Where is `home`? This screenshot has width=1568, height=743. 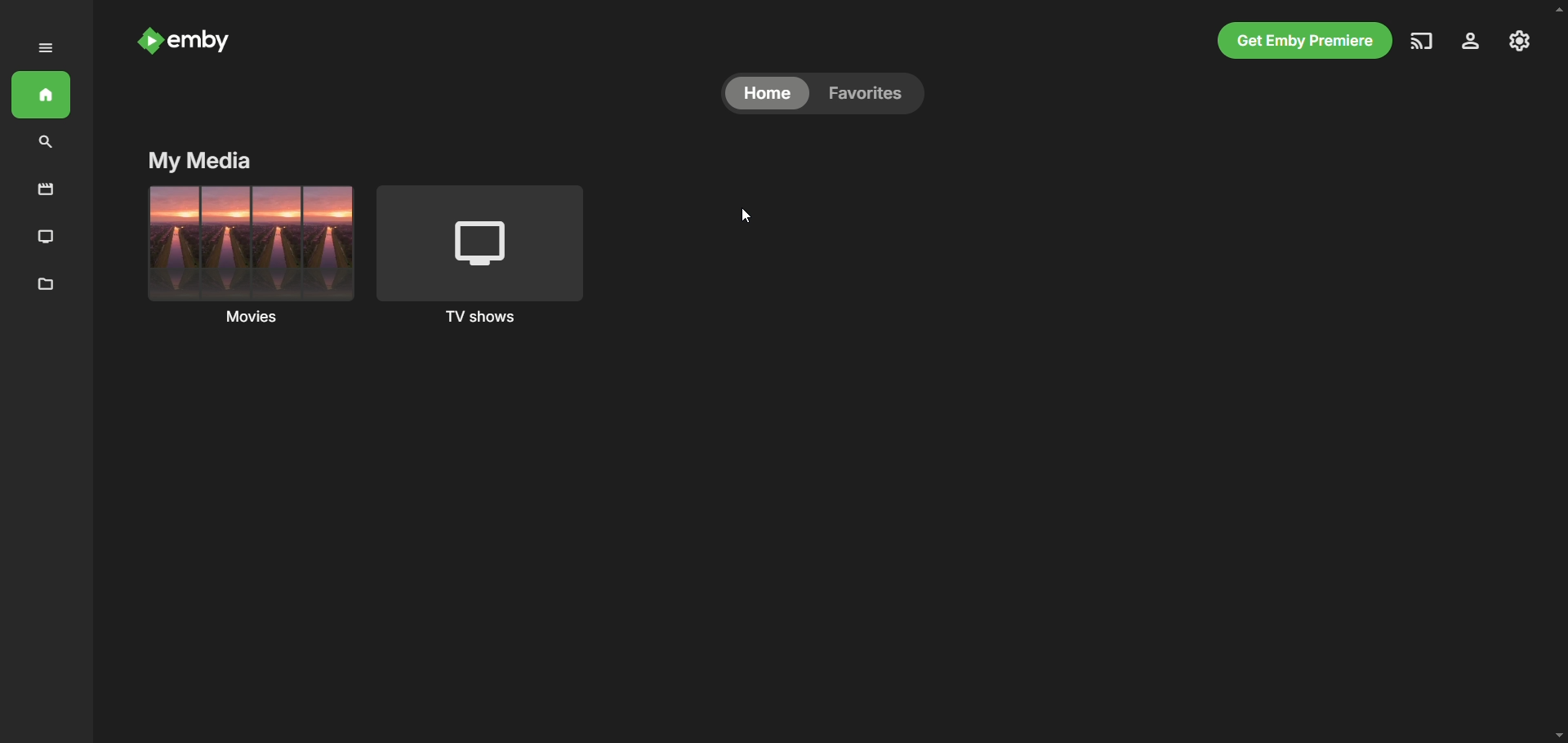
home is located at coordinates (42, 96).